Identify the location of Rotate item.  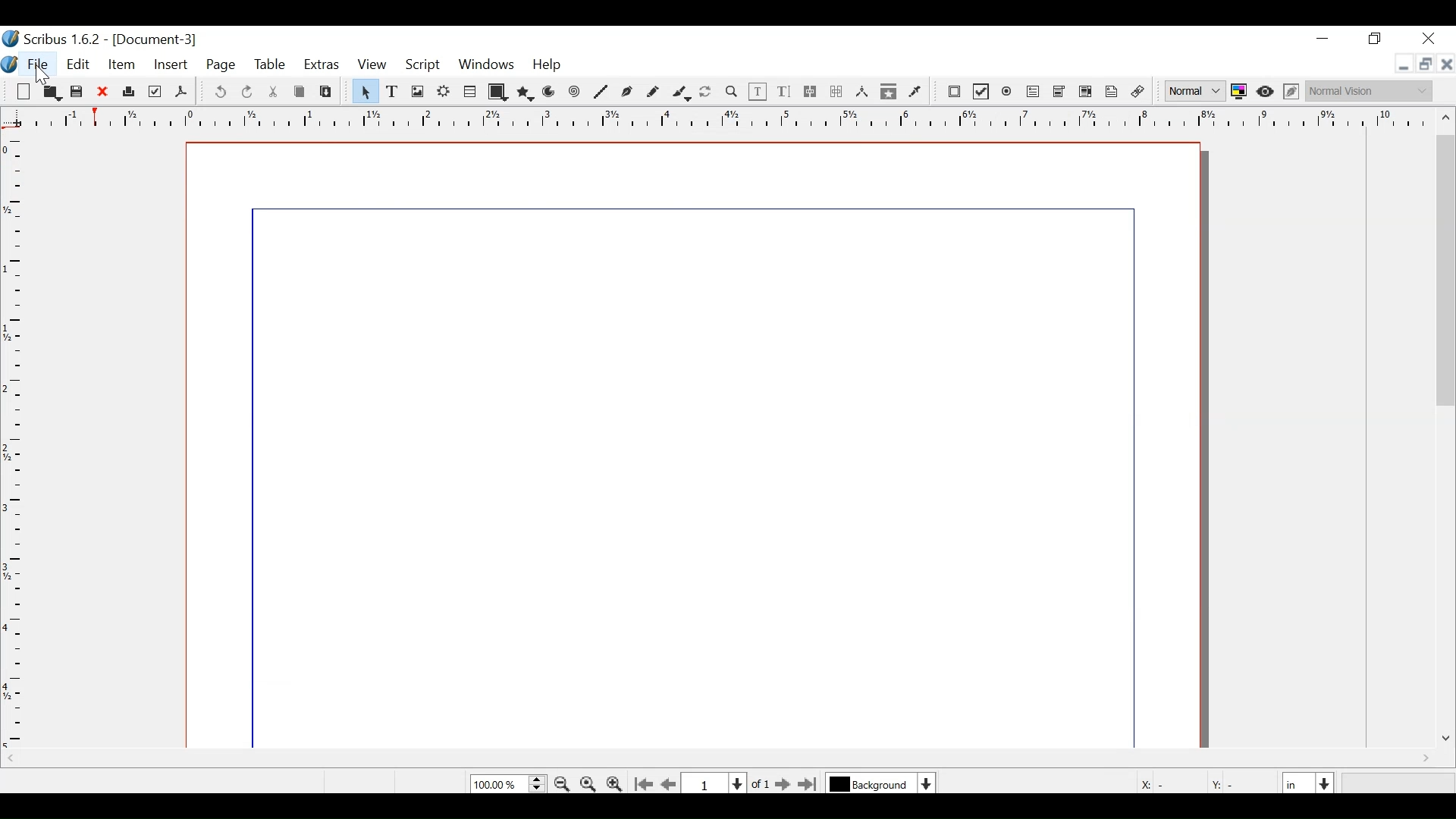
(708, 93).